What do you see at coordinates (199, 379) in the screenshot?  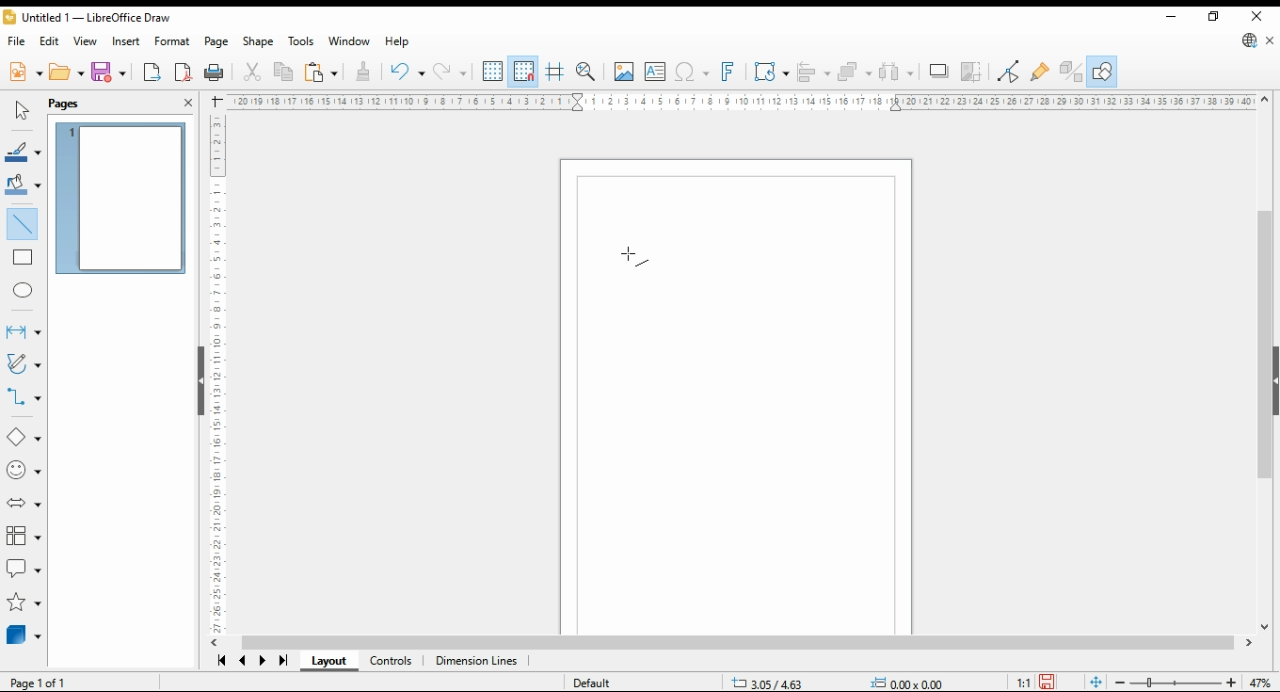 I see `collapse` at bounding box center [199, 379].